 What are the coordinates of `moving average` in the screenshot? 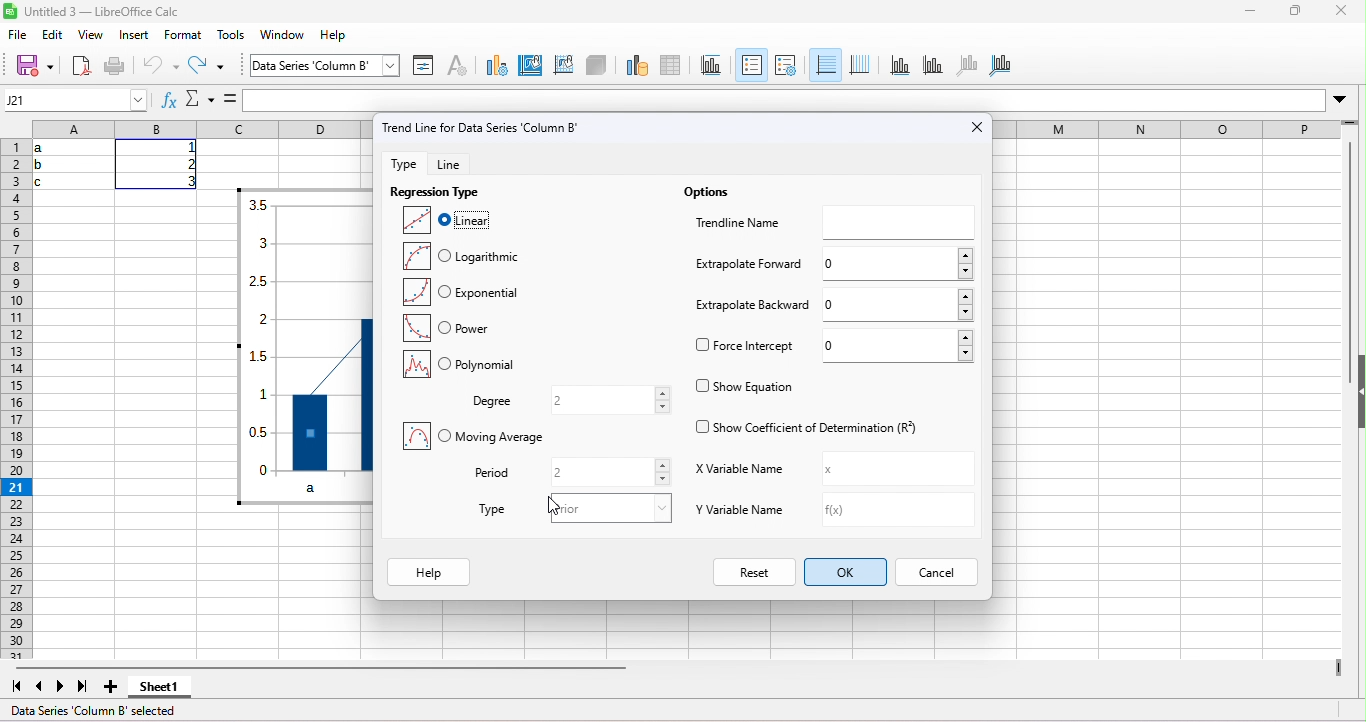 It's located at (476, 439).